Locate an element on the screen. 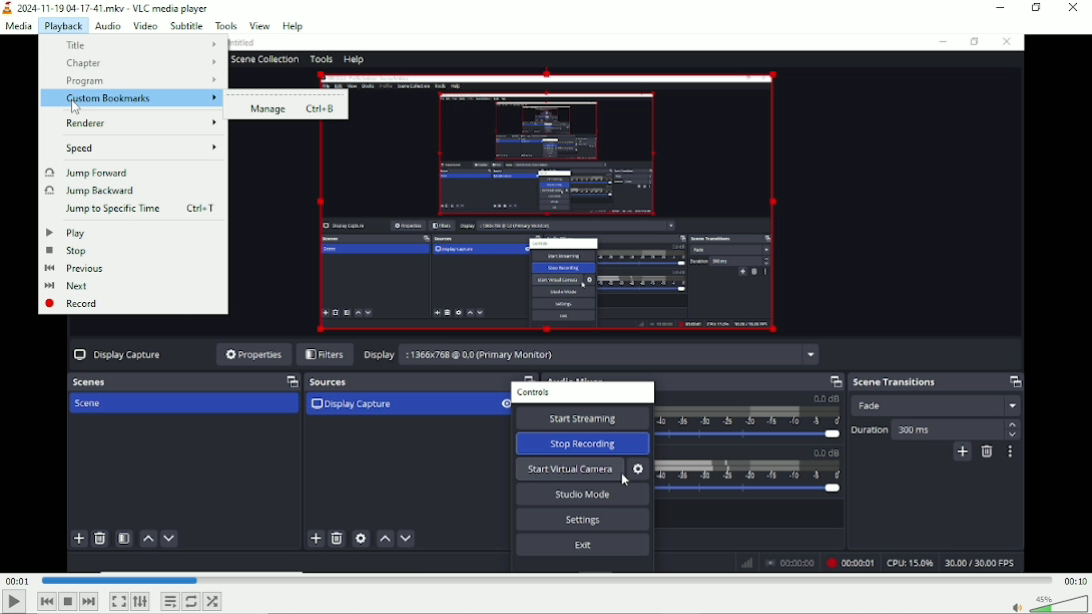 Image resolution: width=1092 pixels, height=614 pixels. Toggle playlist is located at coordinates (169, 602).